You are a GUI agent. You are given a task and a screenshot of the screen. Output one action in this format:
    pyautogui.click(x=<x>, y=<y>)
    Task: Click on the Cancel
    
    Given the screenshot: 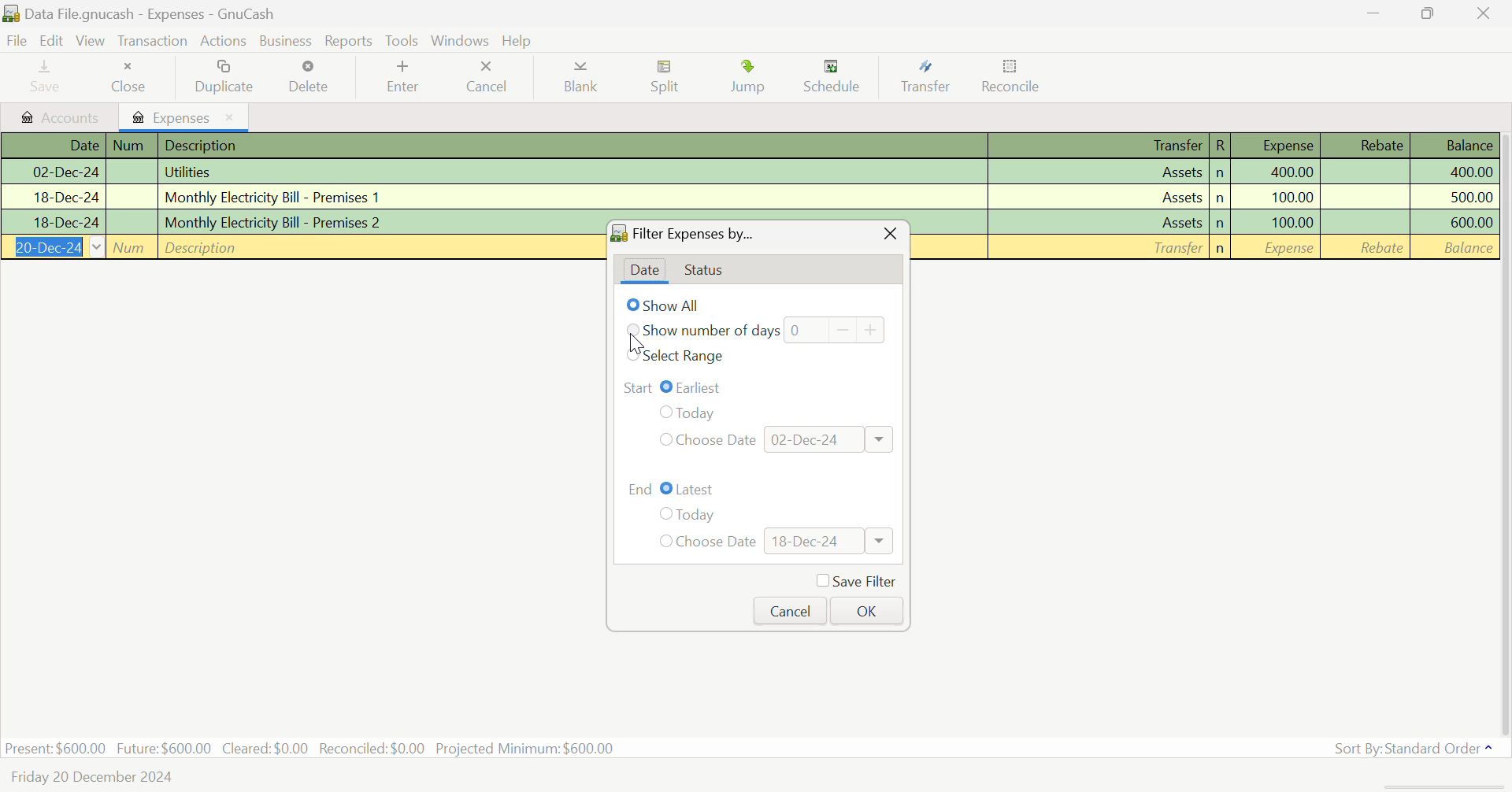 What is the action you would take?
    pyautogui.click(x=789, y=612)
    